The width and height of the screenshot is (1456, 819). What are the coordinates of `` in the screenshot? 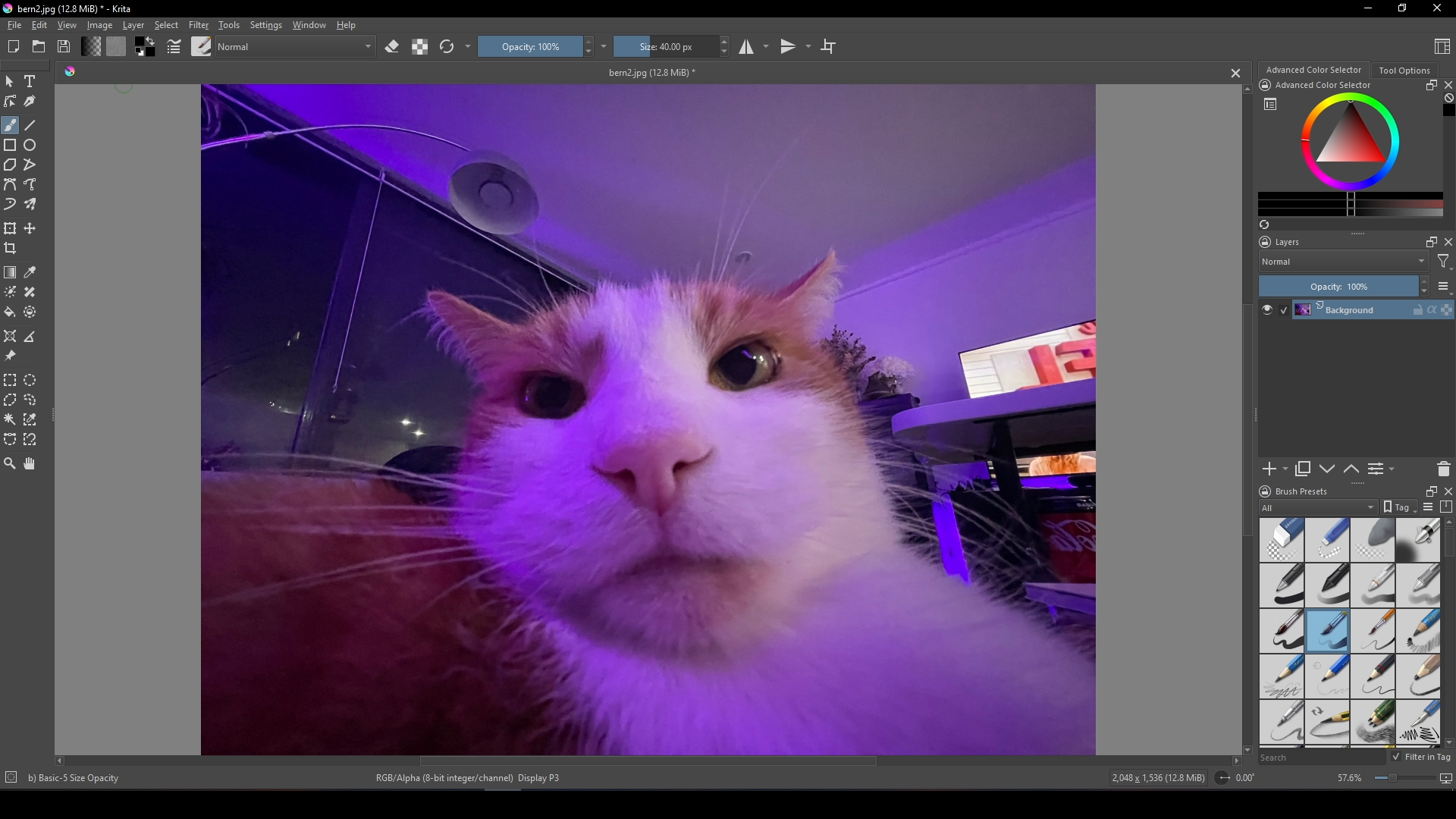 It's located at (1394, 778).